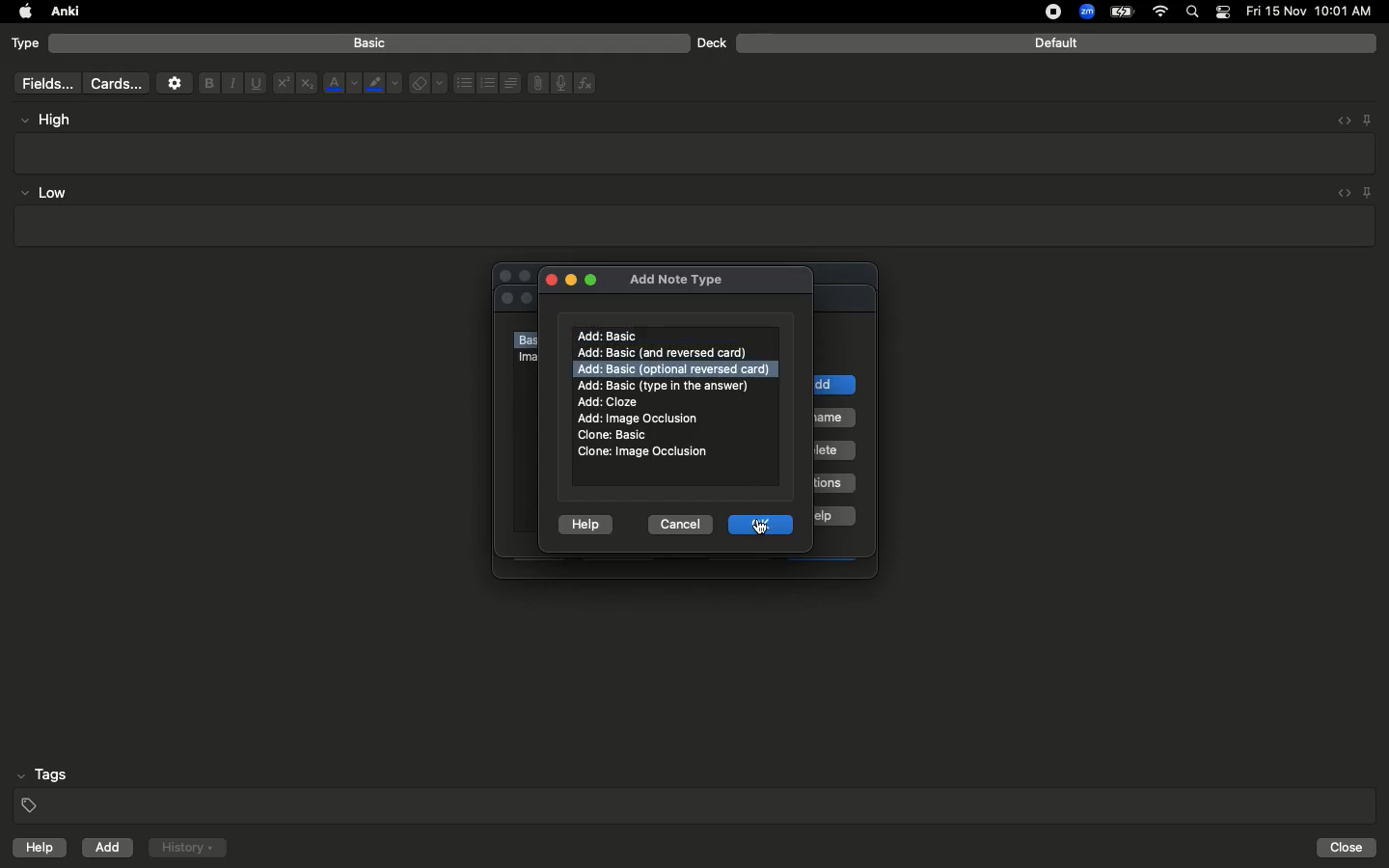 The image size is (1389, 868). I want to click on Add basic, so click(611, 336).